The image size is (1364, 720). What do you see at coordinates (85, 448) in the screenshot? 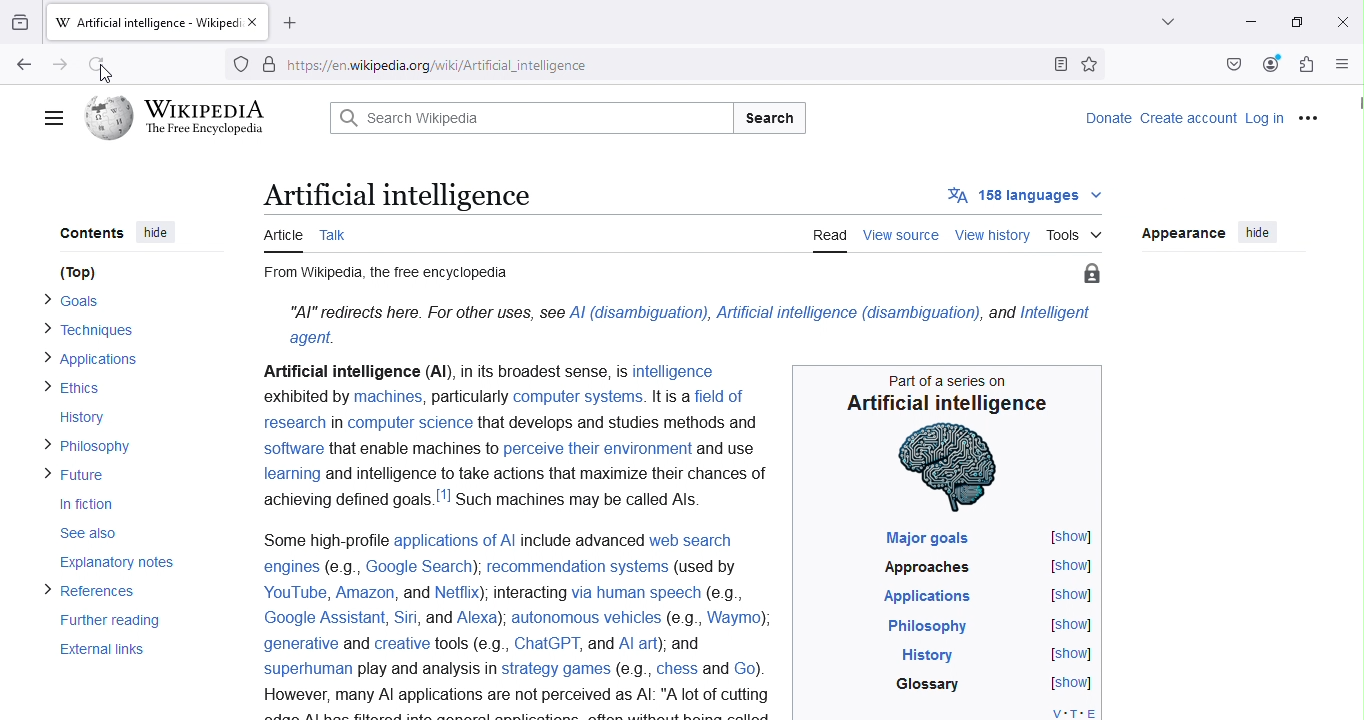
I see `> Philosophy` at bounding box center [85, 448].